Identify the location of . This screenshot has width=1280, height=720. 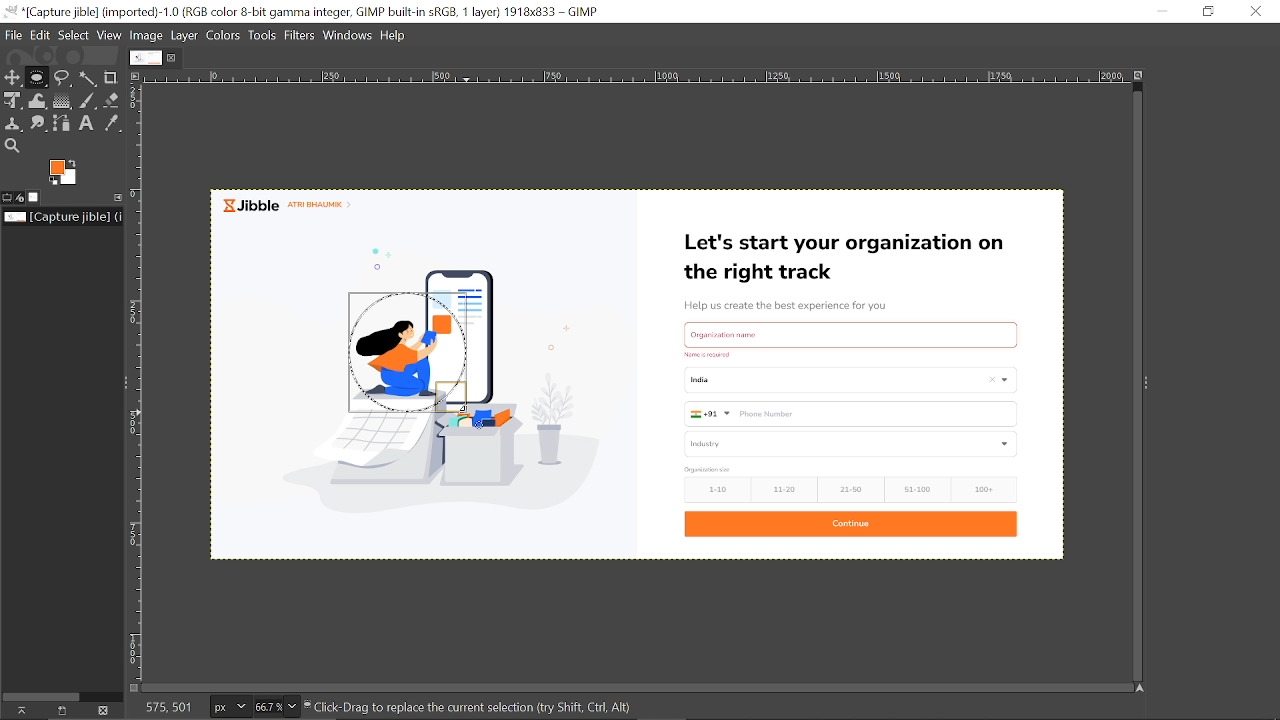
(112, 35).